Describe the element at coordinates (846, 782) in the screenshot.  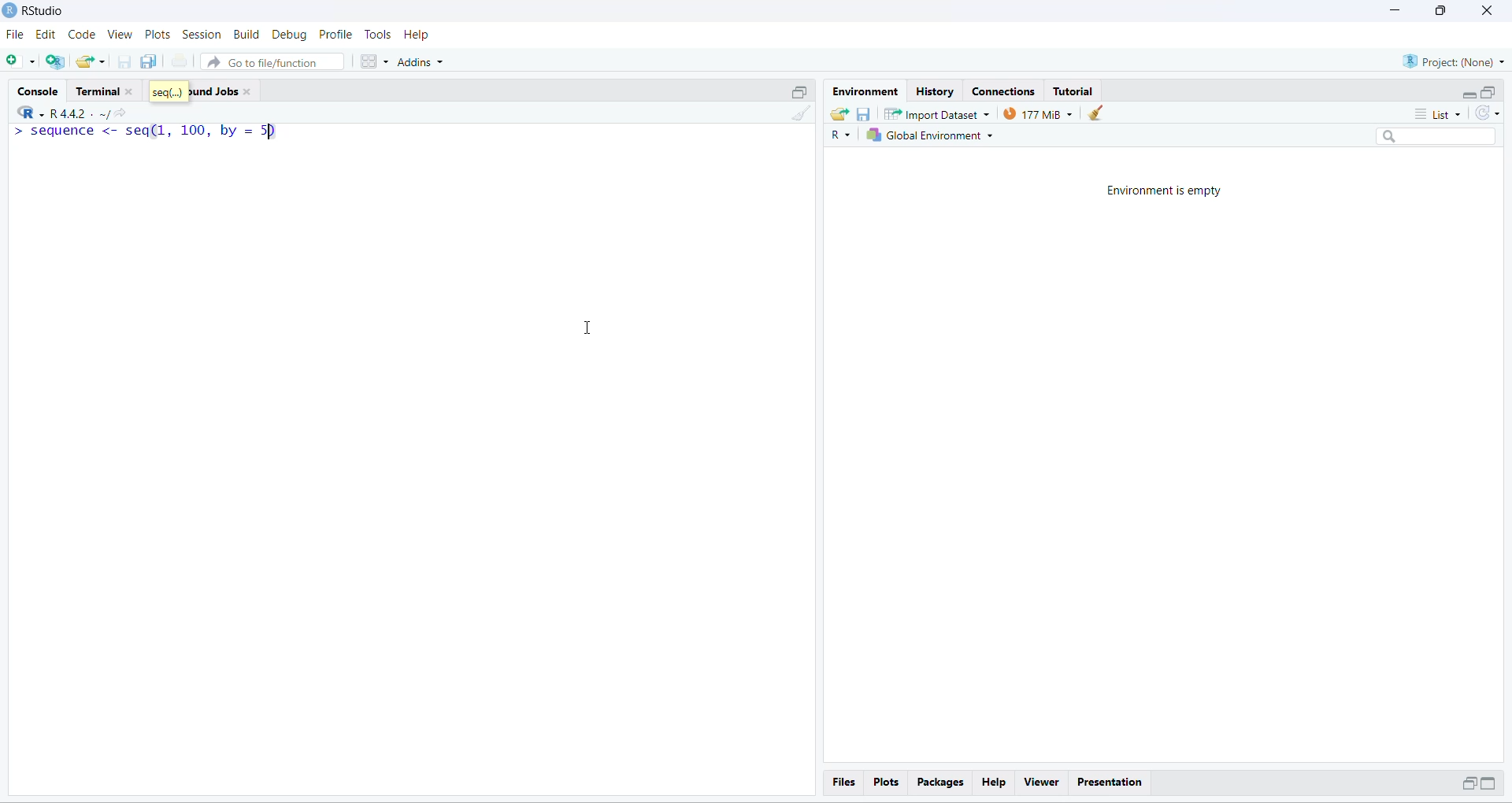
I see `files` at that location.